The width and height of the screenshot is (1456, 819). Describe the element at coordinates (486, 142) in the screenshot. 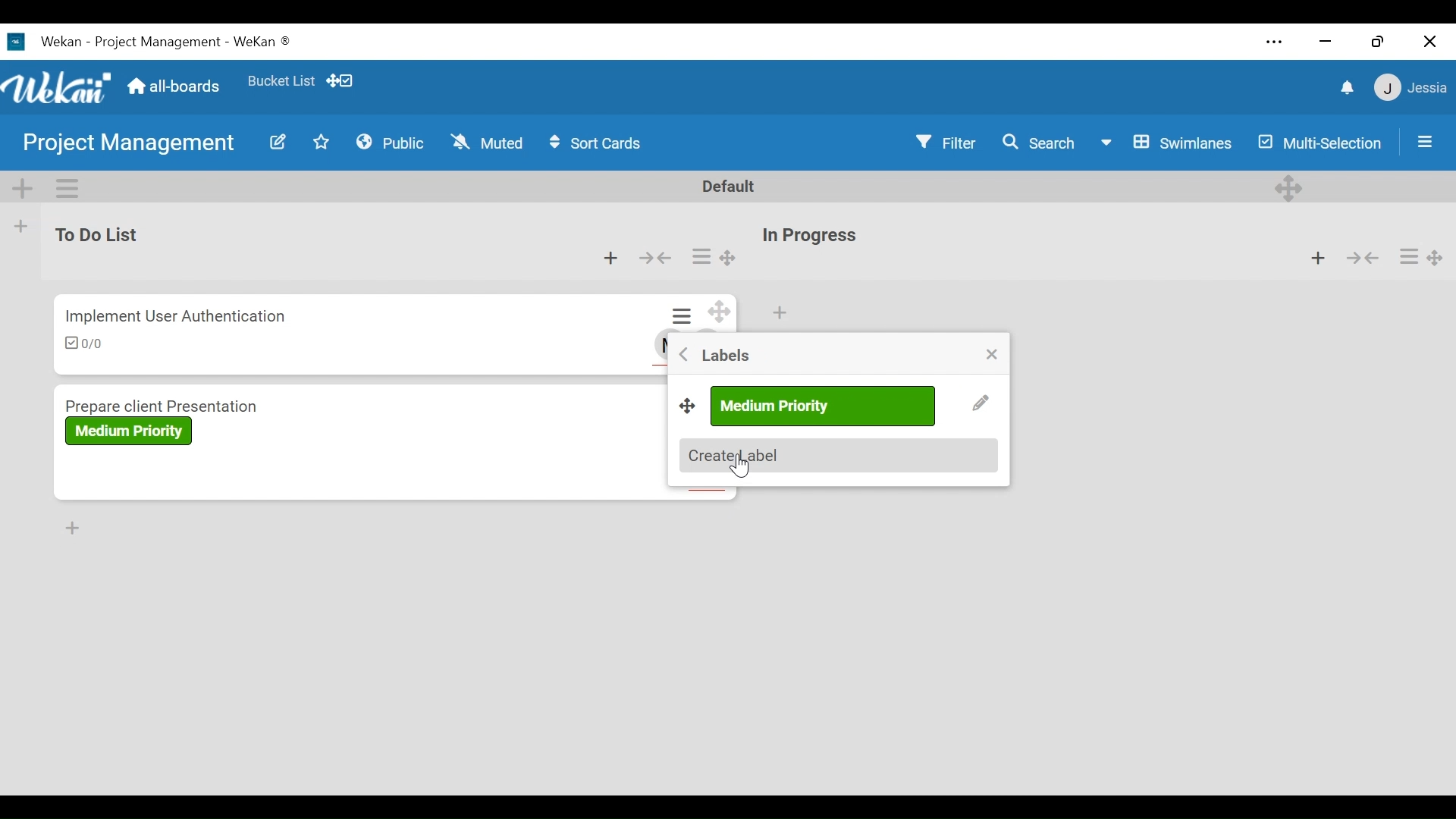

I see `Muted` at that location.